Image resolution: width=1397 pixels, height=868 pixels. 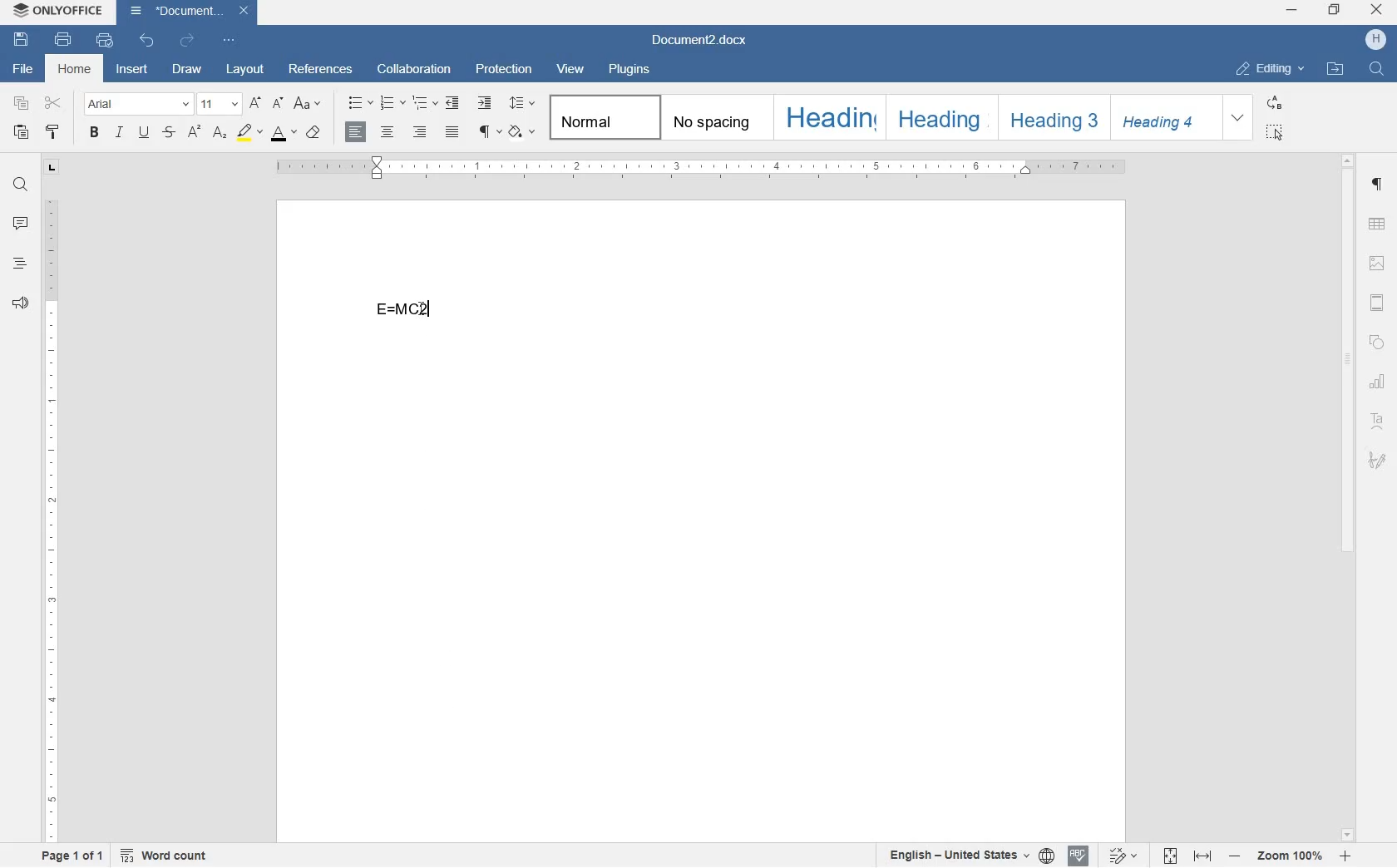 What do you see at coordinates (1380, 384) in the screenshot?
I see `chart` at bounding box center [1380, 384].